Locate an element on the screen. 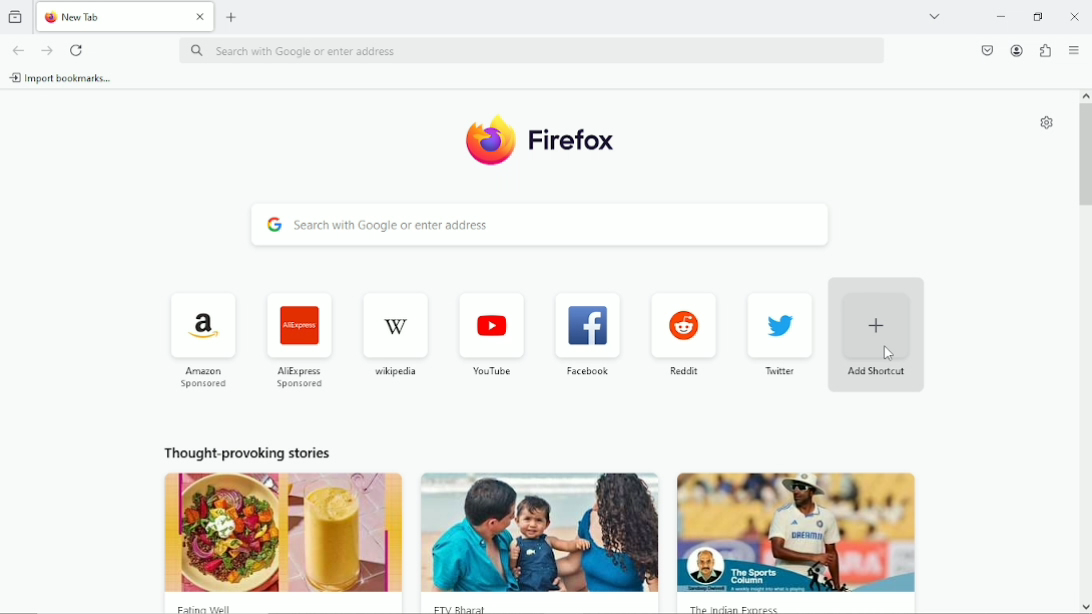 Image resolution: width=1092 pixels, height=614 pixels. Add shortcut is located at coordinates (879, 335).